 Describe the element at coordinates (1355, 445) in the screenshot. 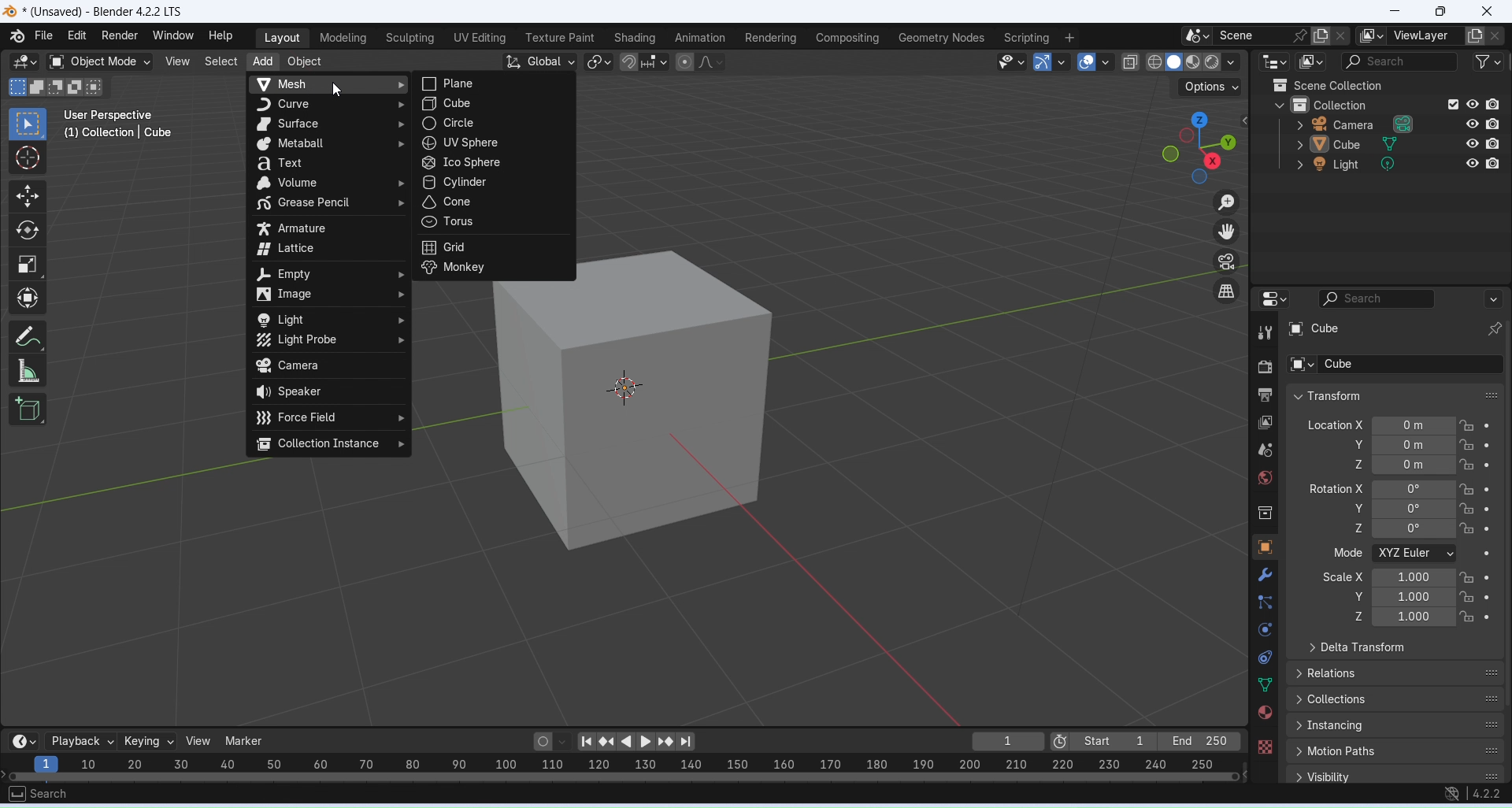

I see `Location Y` at that location.